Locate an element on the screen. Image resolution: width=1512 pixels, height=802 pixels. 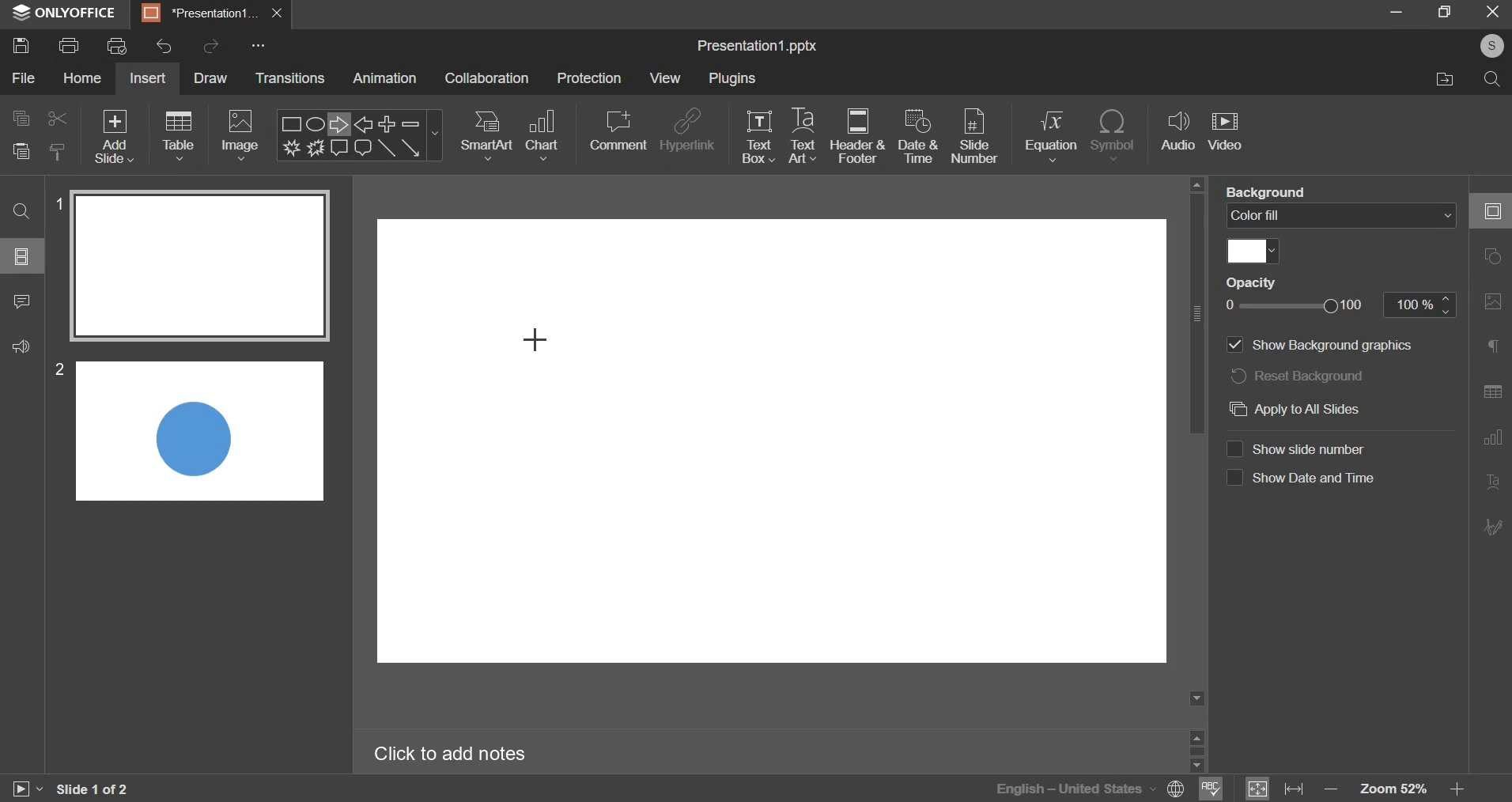
transitions is located at coordinates (287, 77).